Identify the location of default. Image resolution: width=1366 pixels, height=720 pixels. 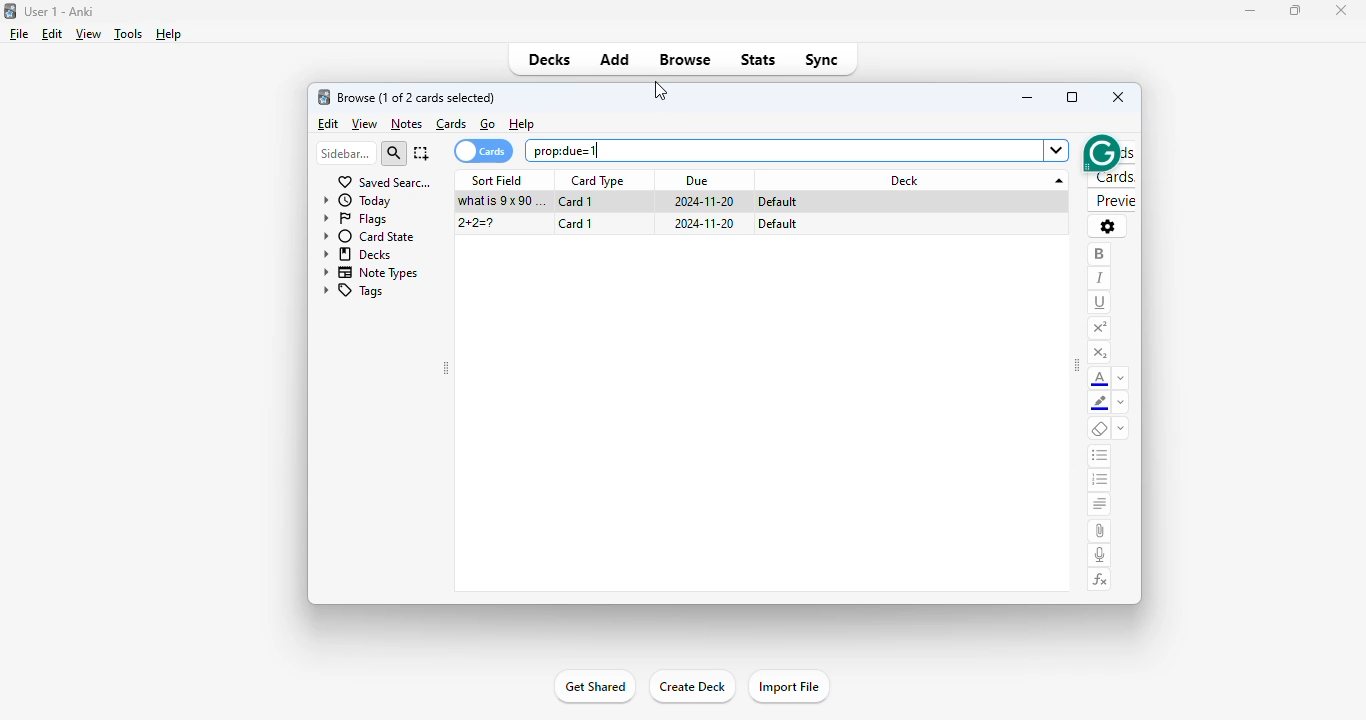
(777, 223).